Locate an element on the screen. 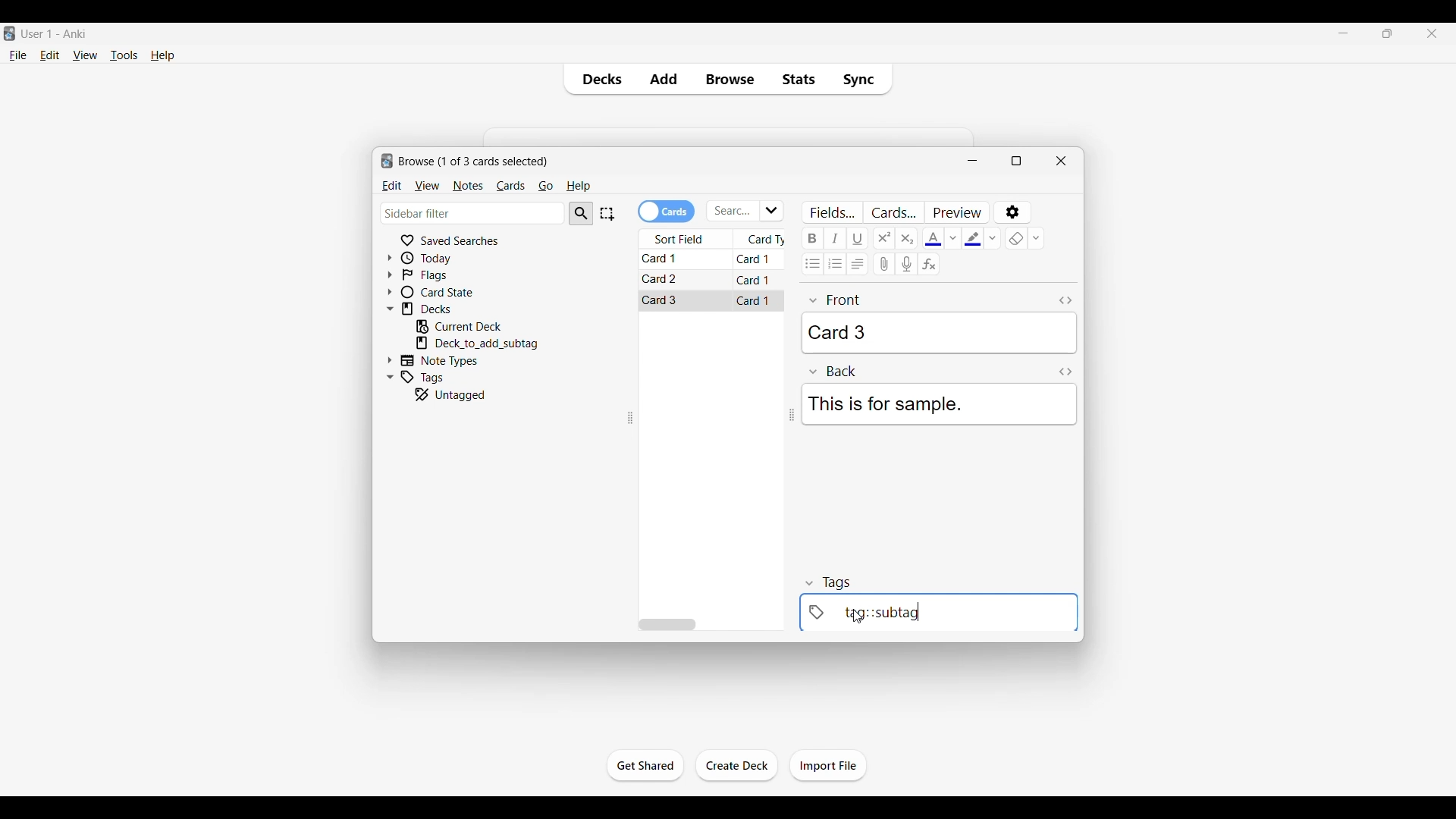  Click to go to Today is located at coordinates (449, 258).